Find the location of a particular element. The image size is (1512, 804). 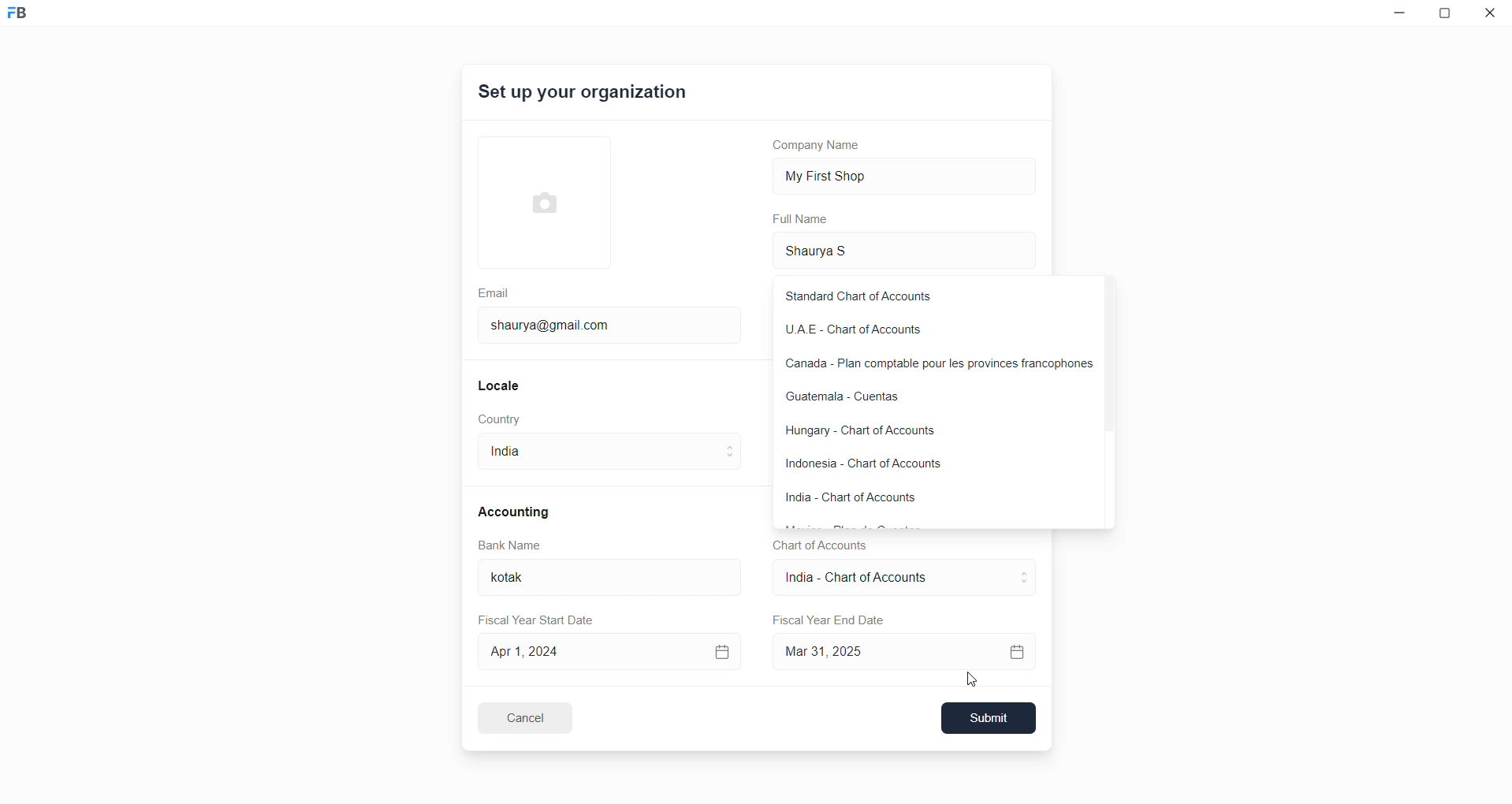

cursor is located at coordinates (974, 681).